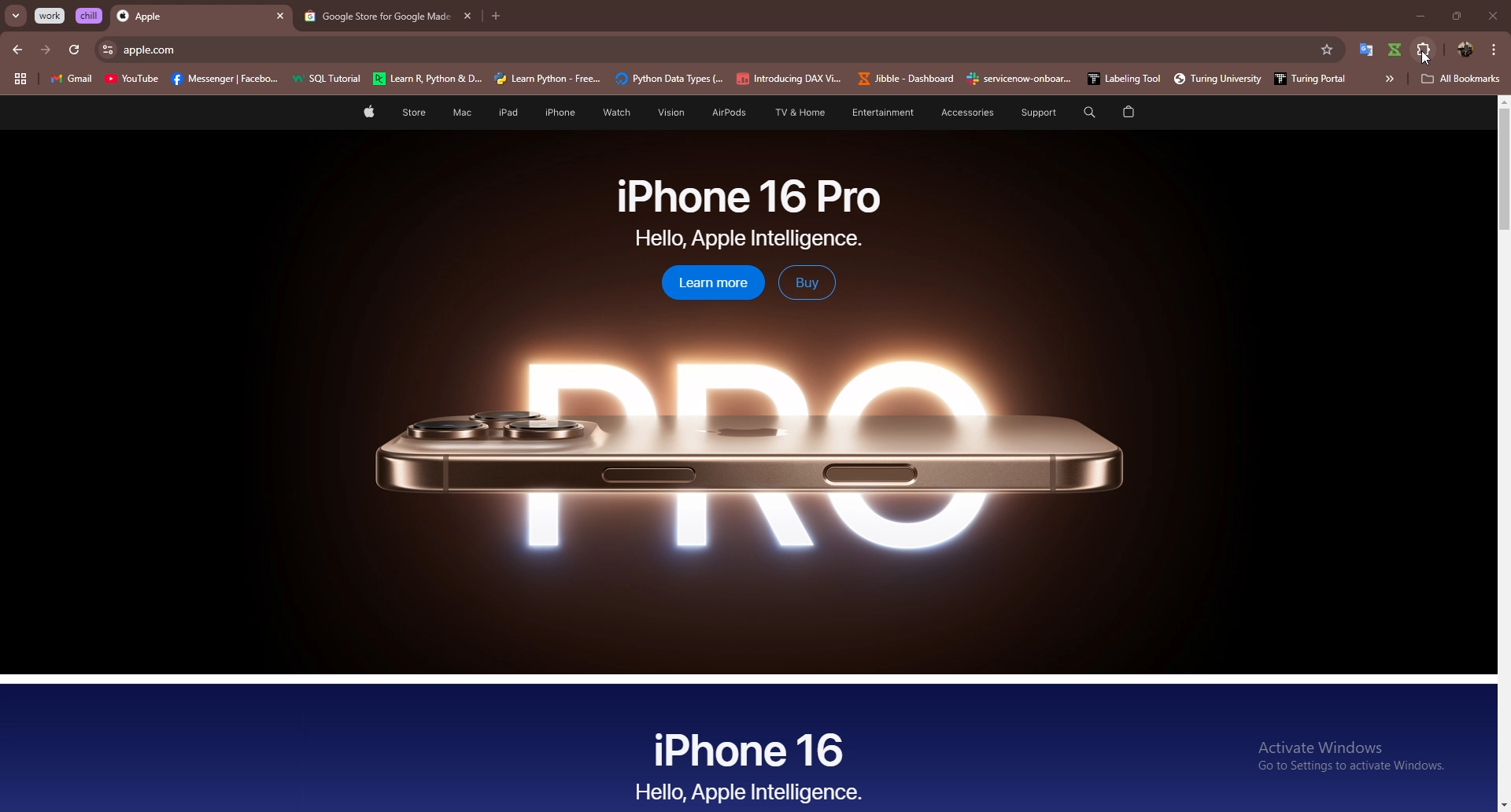  Describe the element at coordinates (1087, 112) in the screenshot. I see `search` at that location.